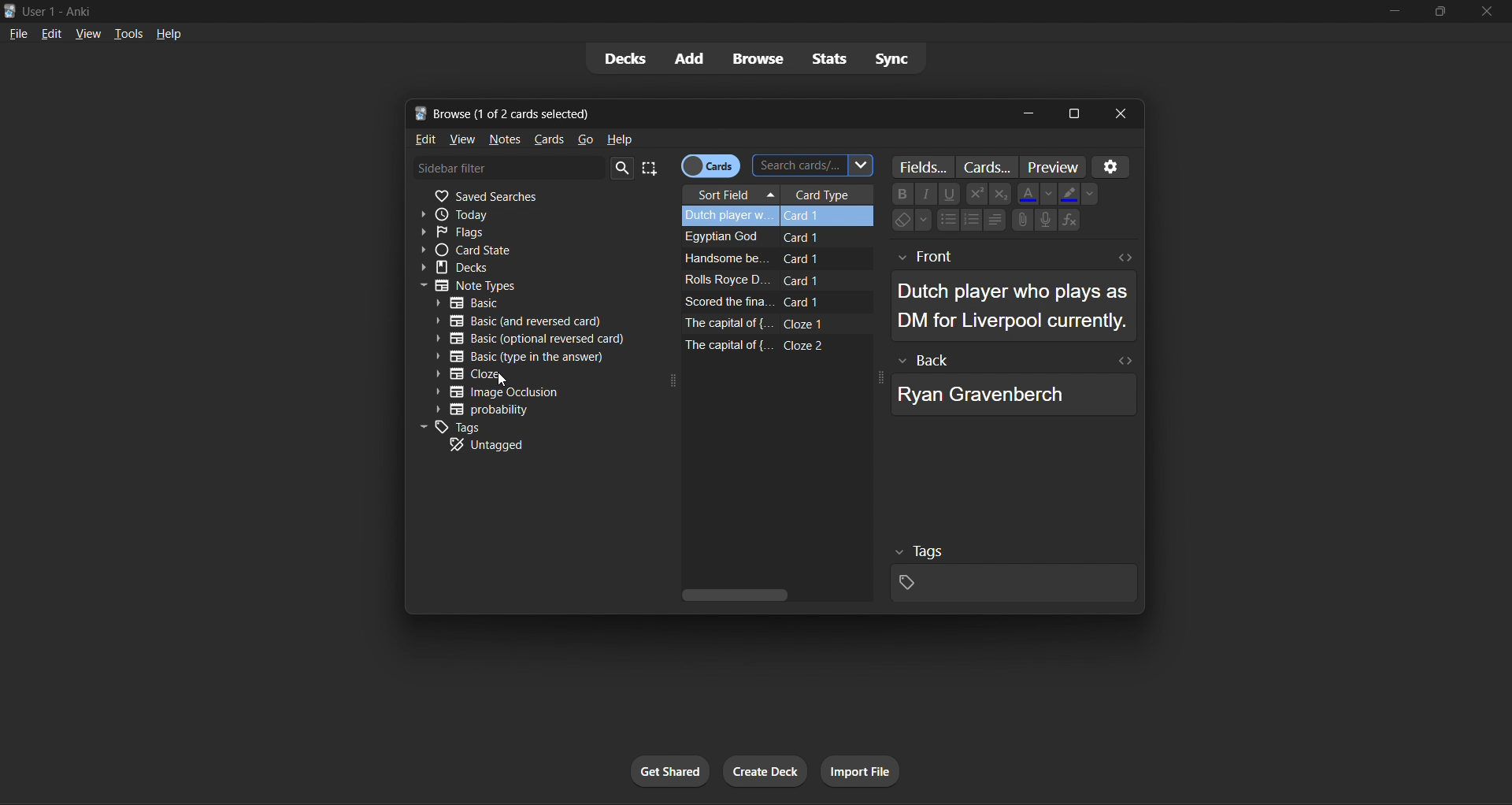 This screenshot has width=1512, height=805. Describe the element at coordinates (774, 285) in the screenshot. I see `card data` at that location.